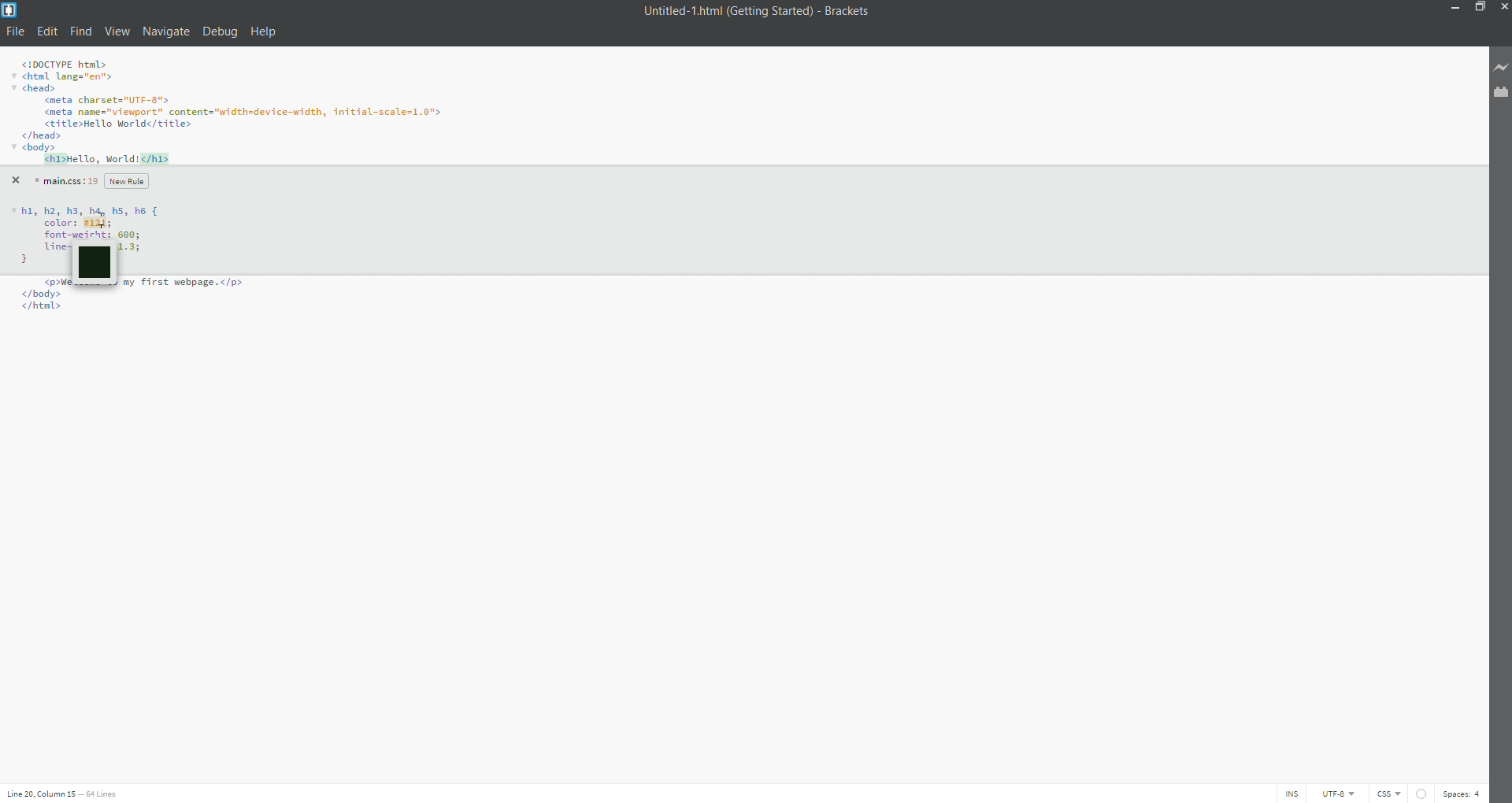 This screenshot has height=803, width=1512. Describe the element at coordinates (17, 31) in the screenshot. I see `file` at that location.